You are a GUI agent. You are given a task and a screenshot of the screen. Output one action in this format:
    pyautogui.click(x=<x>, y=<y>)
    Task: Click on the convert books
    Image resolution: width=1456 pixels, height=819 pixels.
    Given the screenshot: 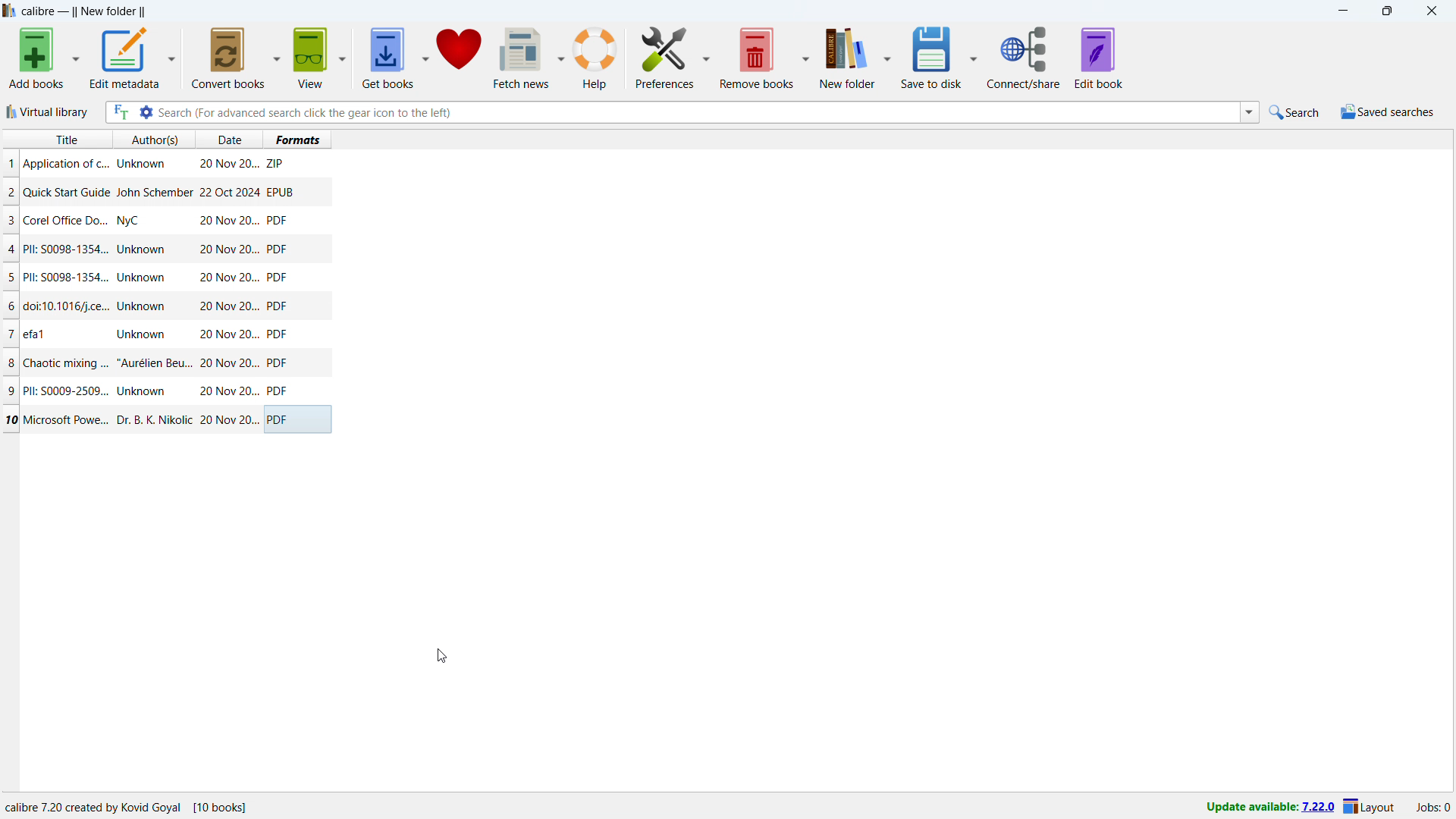 What is the action you would take?
    pyautogui.click(x=230, y=58)
    